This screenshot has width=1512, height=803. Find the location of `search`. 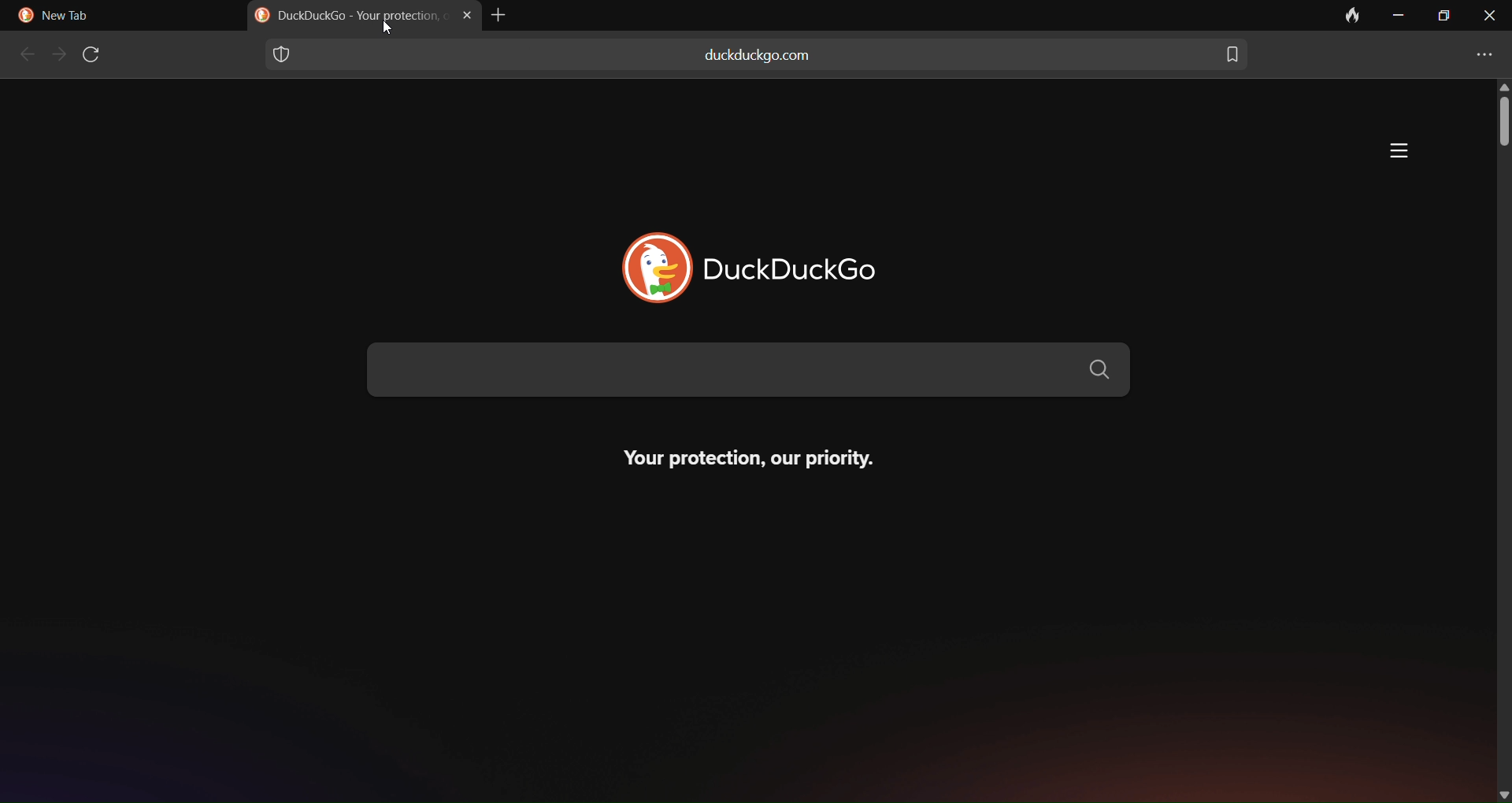

search is located at coordinates (748, 373).